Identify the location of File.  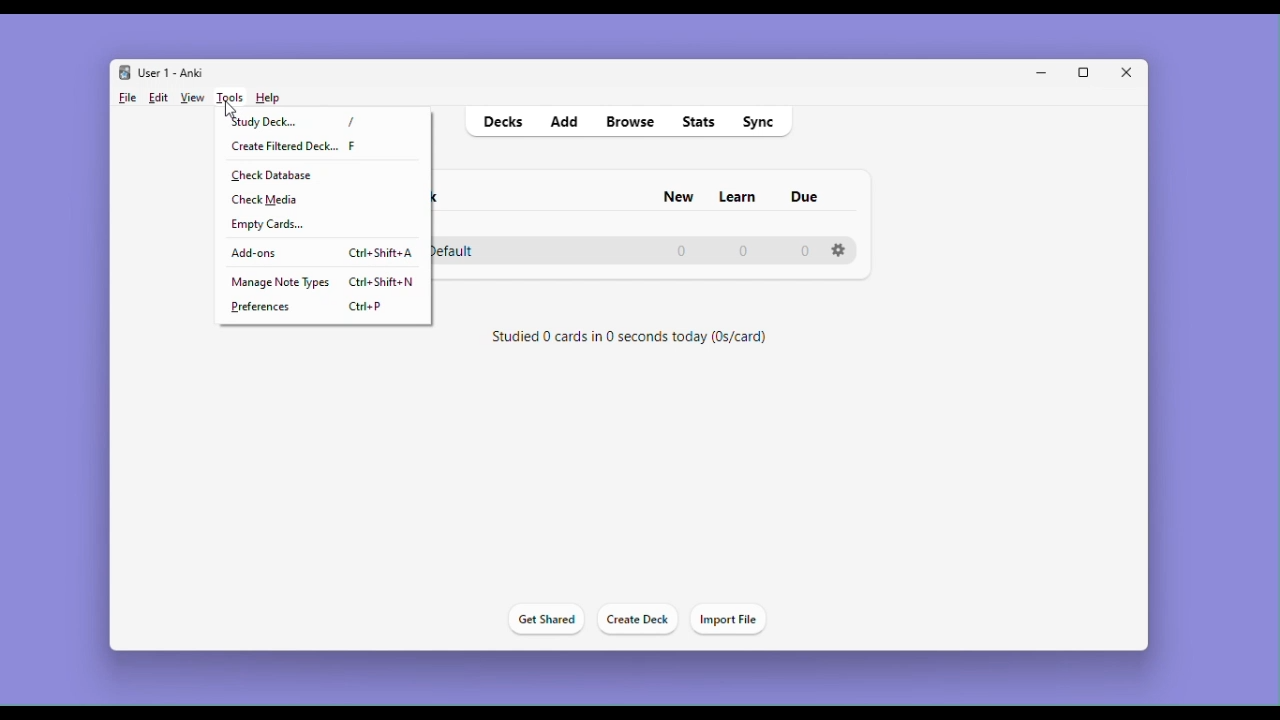
(128, 98).